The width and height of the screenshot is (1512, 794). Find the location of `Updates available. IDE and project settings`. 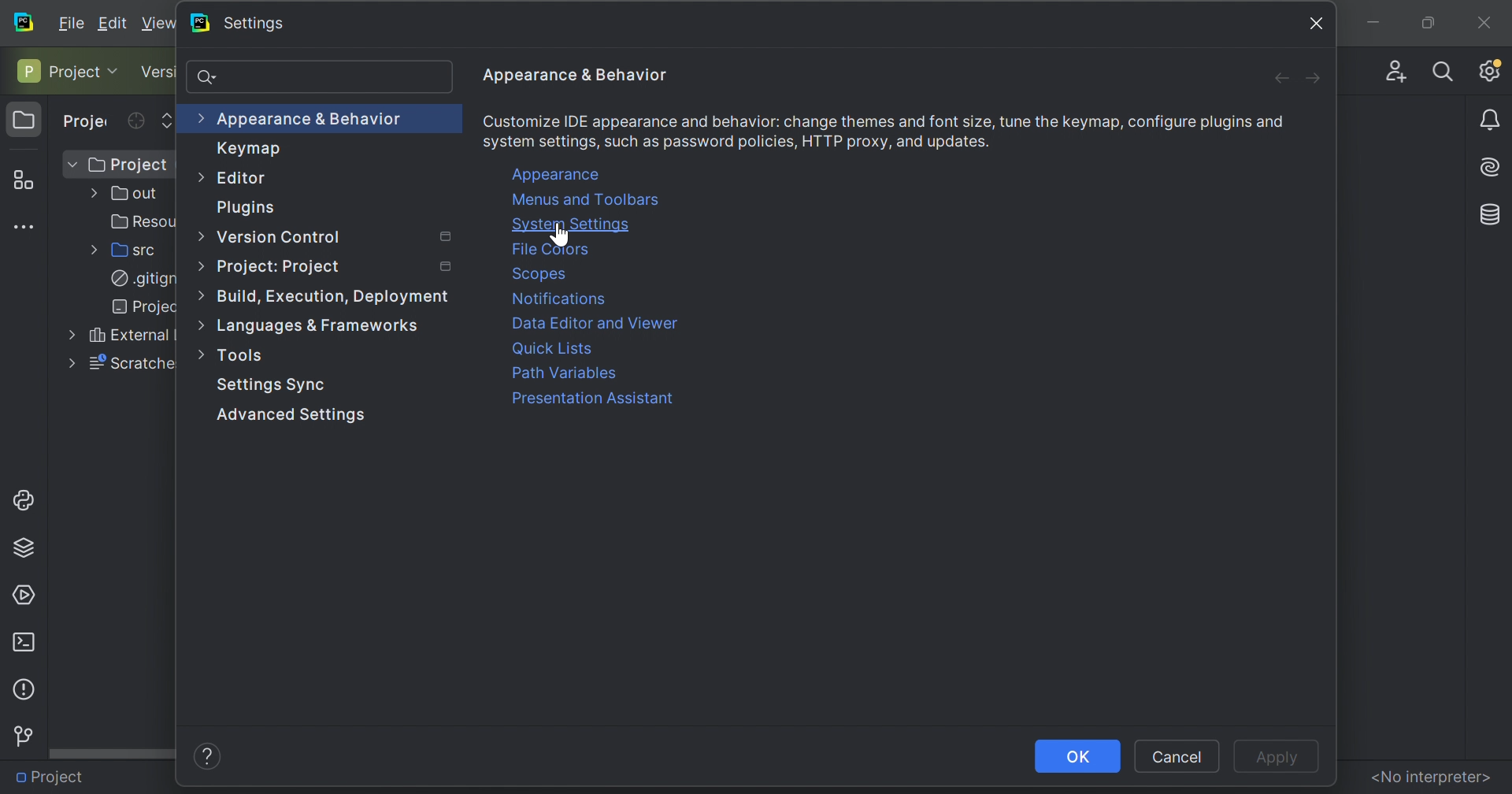

Updates available. IDE and project settings is located at coordinates (1490, 70).